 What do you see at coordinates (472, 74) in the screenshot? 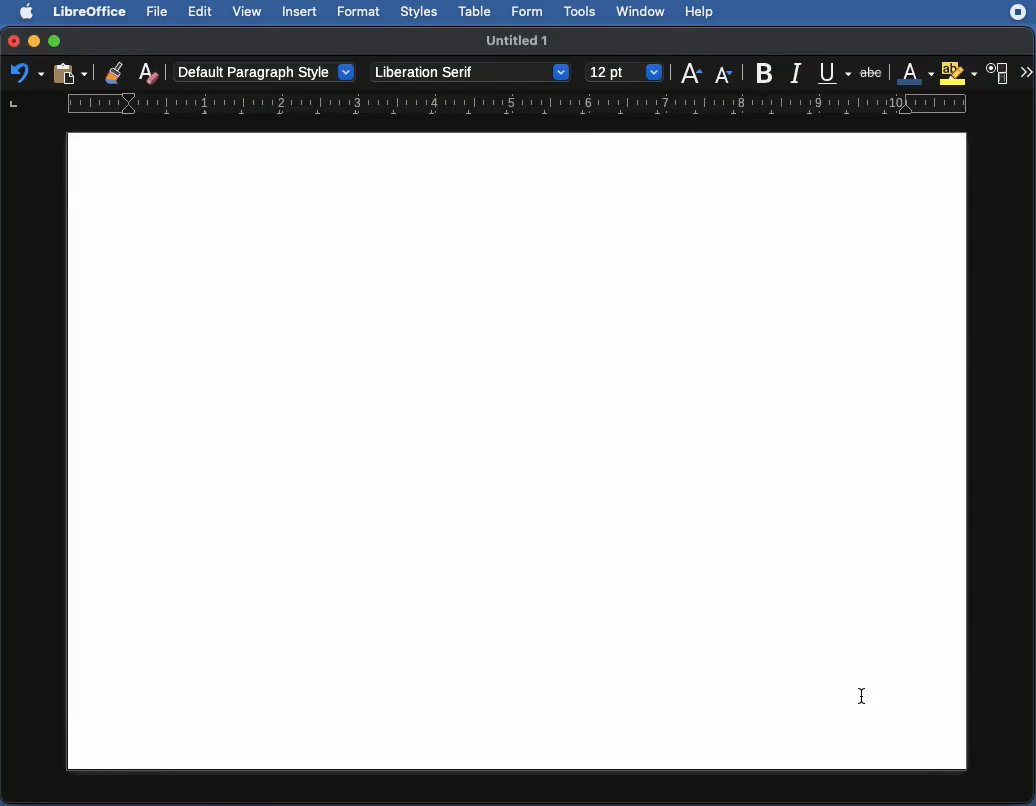
I see `font style` at bounding box center [472, 74].